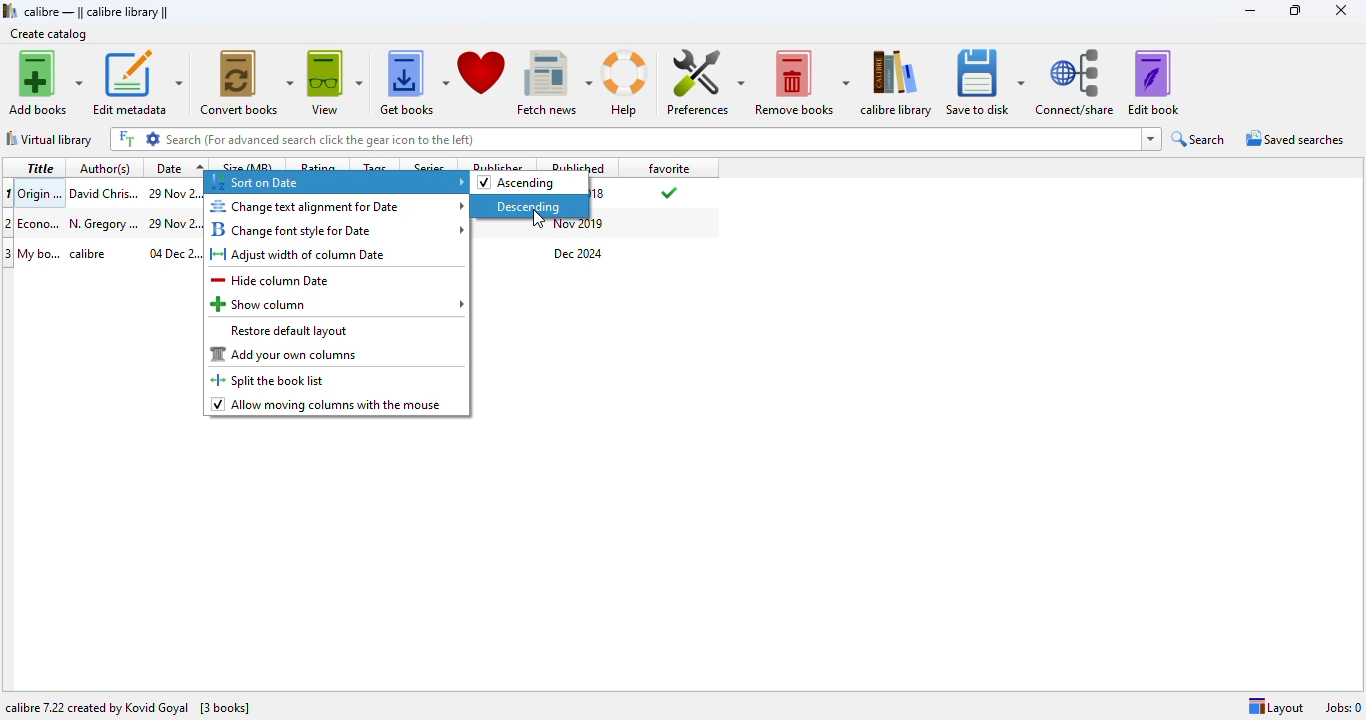  What do you see at coordinates (627, 83) in the screenshot?
I see `help` at bounding box center [627, 83].